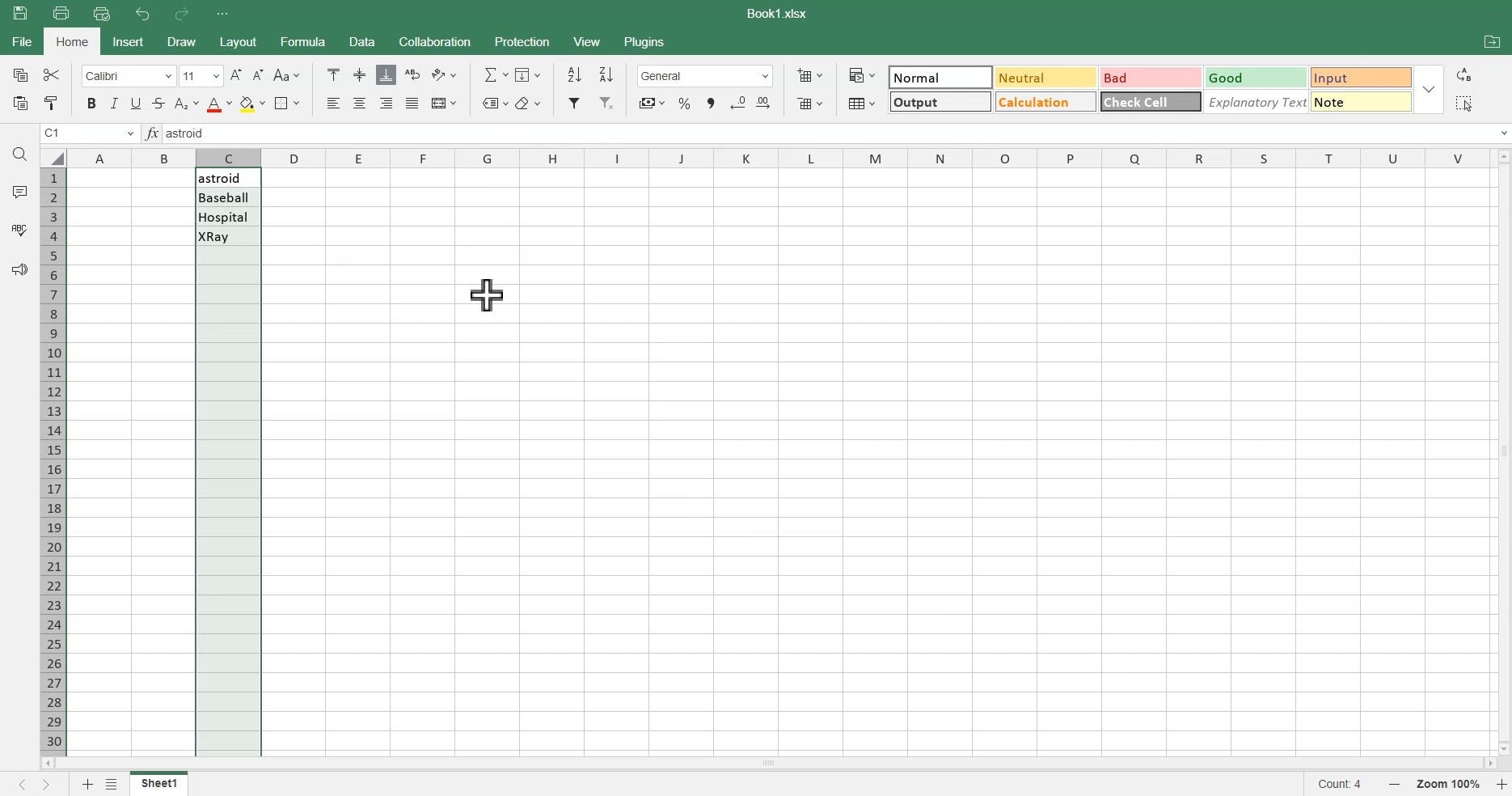 The height and width of the screenshot is (796, 1512). Describe the element at coordinates (1257, 104) in the screenshot. I see `Explanatory text` at that location.